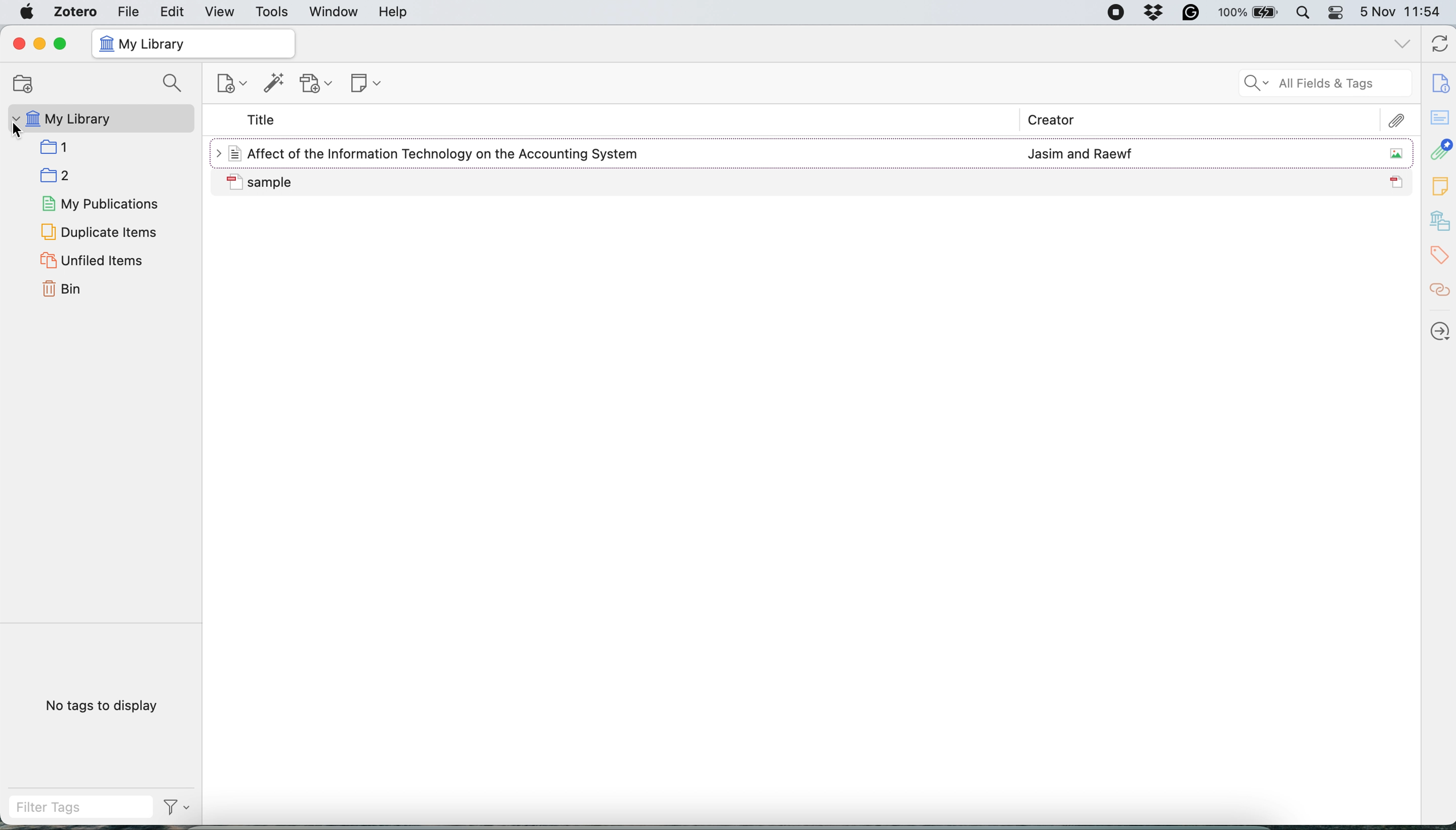 This screenshot has width=1456, height=830. I want to click on date and time, so click(1402, 12).